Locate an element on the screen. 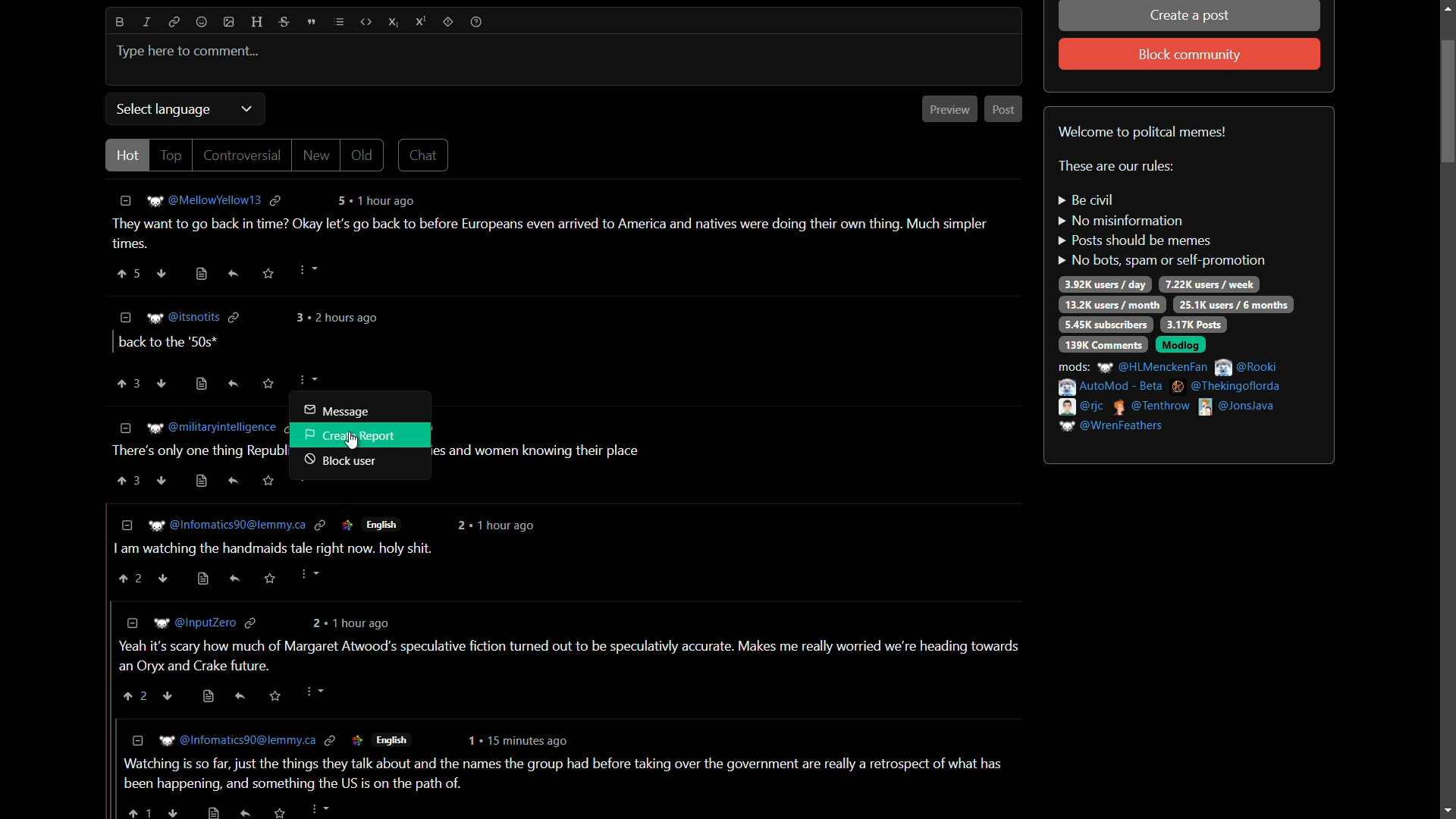 The height and width of the screenshot is (819, 1456). preview is located at coordinates (950, 109).